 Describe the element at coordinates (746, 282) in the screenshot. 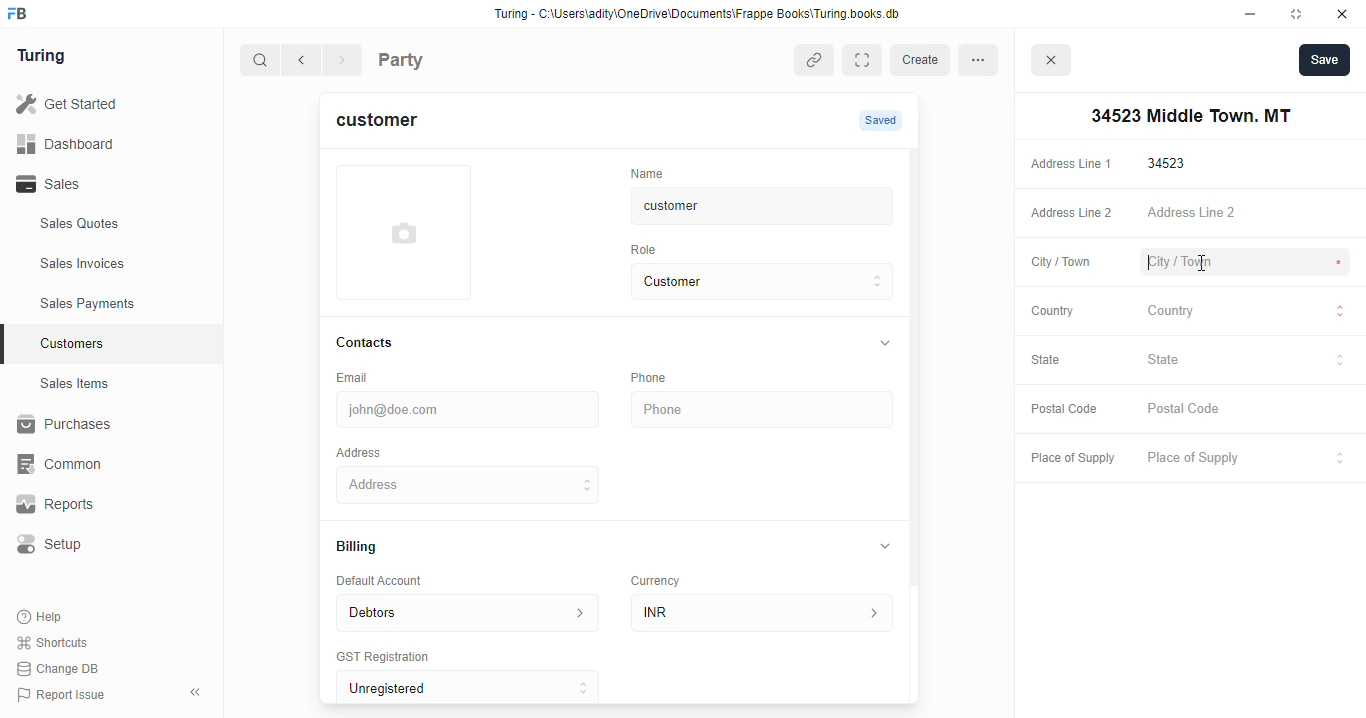

I see `Customer` at that location.